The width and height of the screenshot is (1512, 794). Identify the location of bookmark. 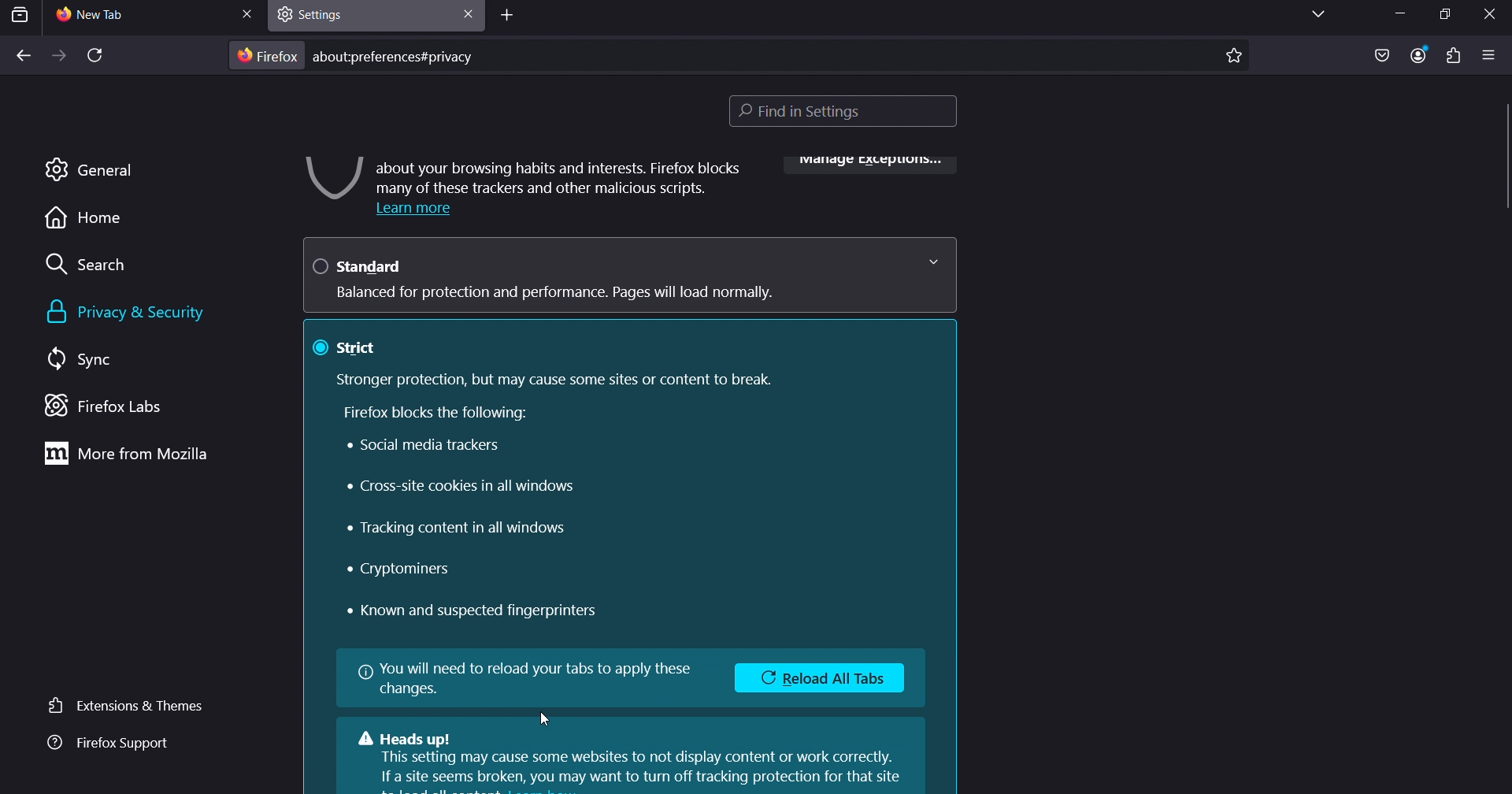
(1234, 54).